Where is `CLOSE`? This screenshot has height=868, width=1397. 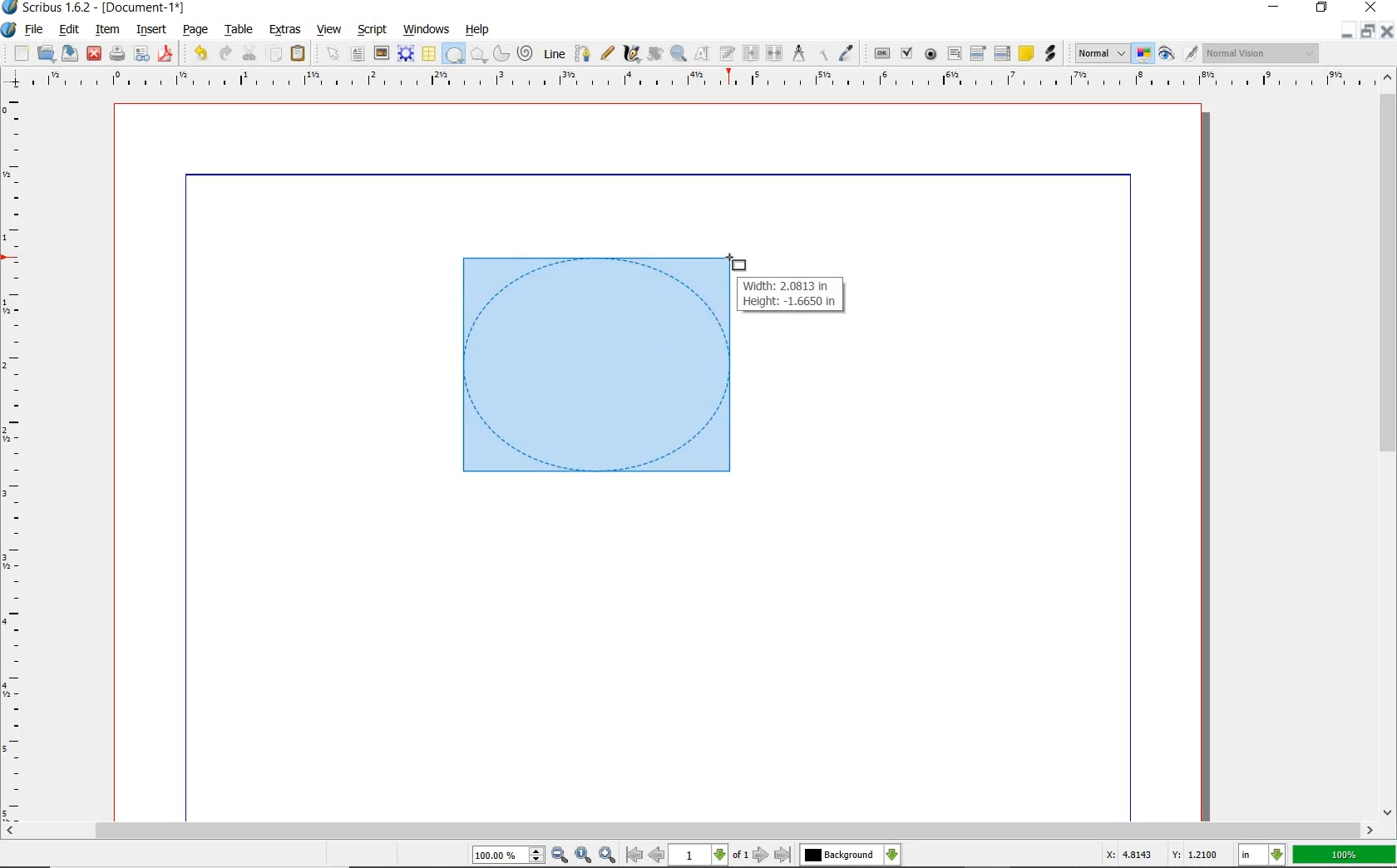 CLOSE is located at coordinates (94, 54).